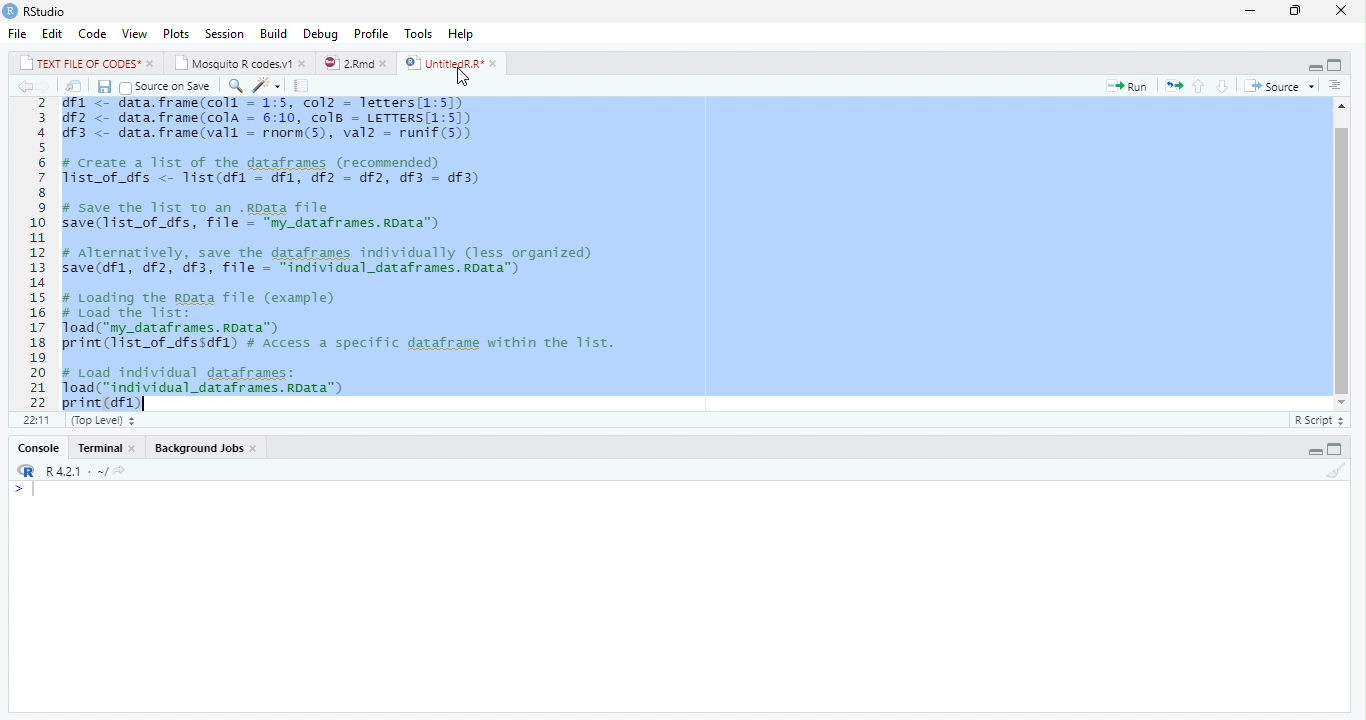  What do you see at coordinates (35, 253) in the screenshot?
I see `Line number` at bounding box center [35, 253].